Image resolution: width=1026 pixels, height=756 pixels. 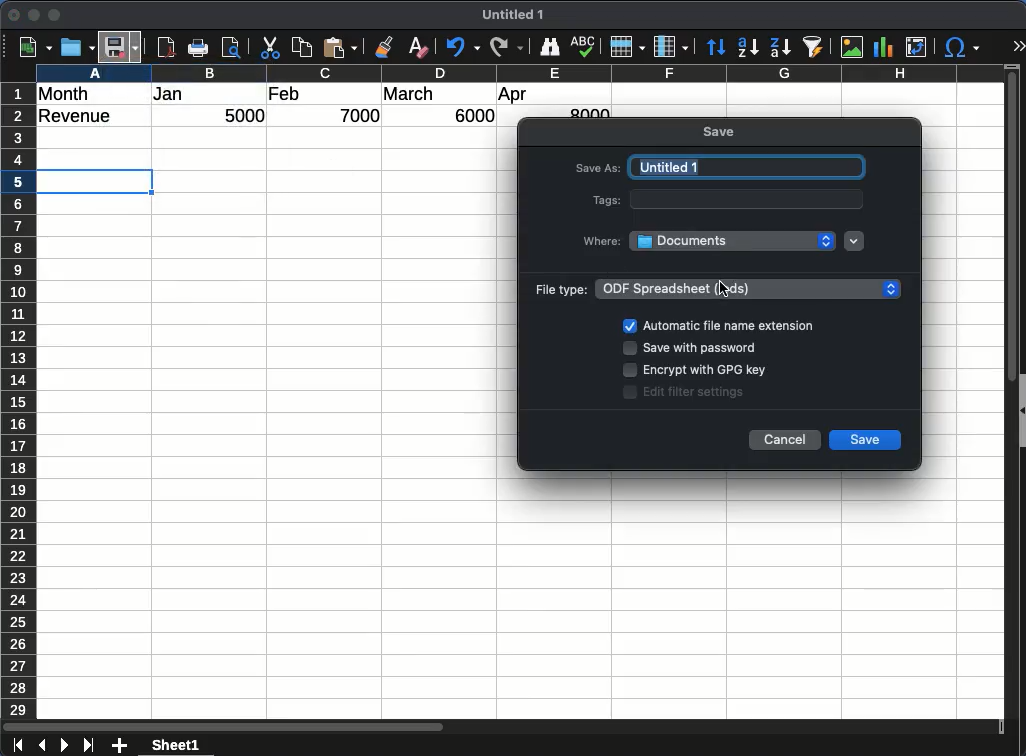 I want to click on feb, so click(x=284, y=93).